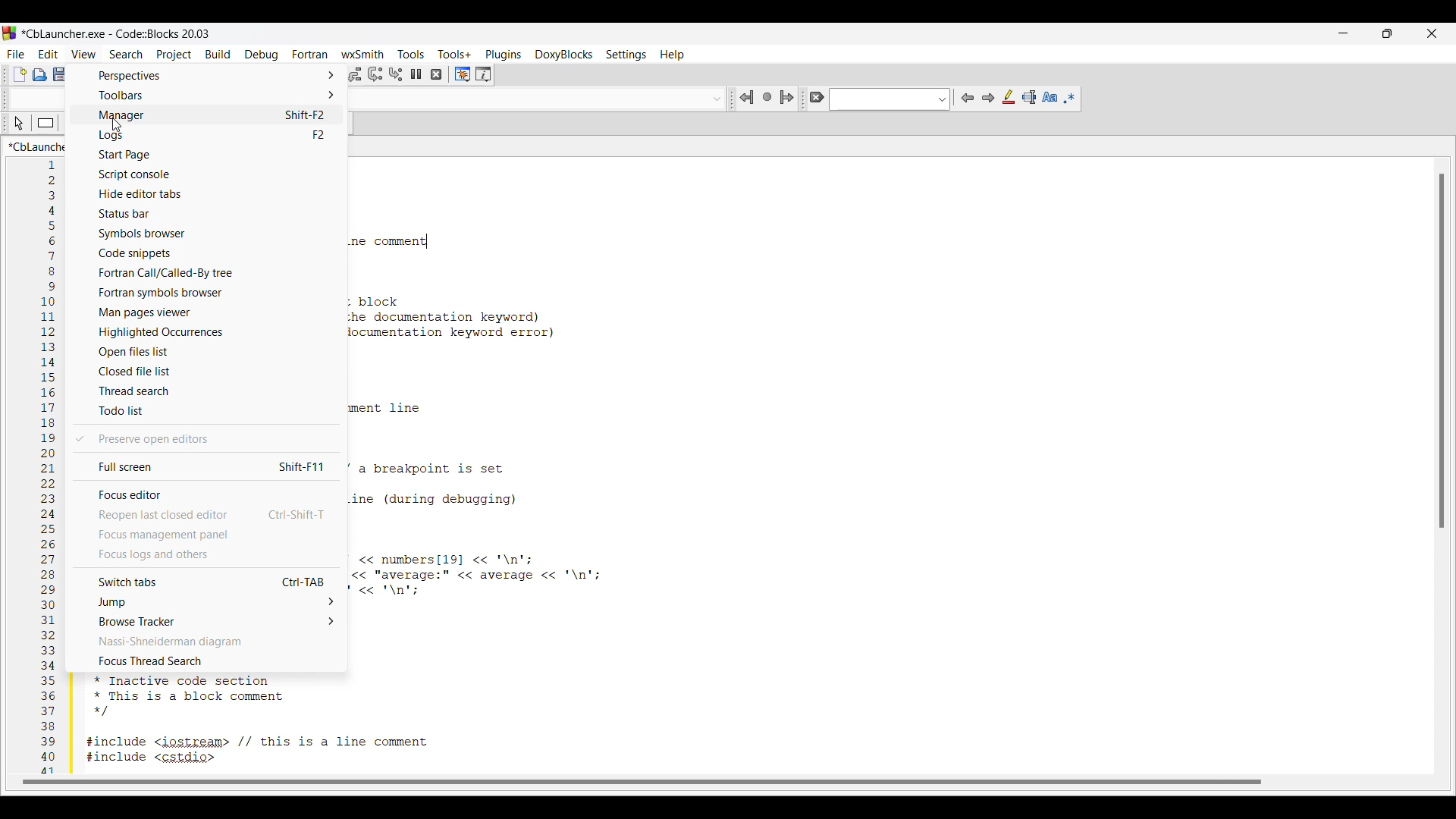  I want to click on Full screen, so click(206, 466).